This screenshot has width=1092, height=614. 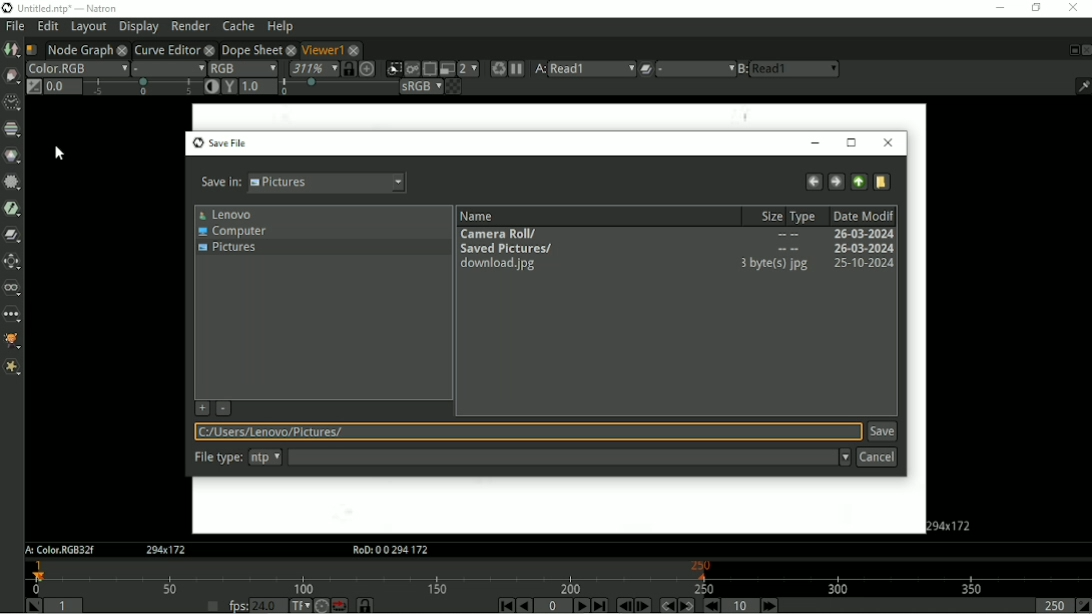 I want to click on Next increment, so click(x=769, y=606).